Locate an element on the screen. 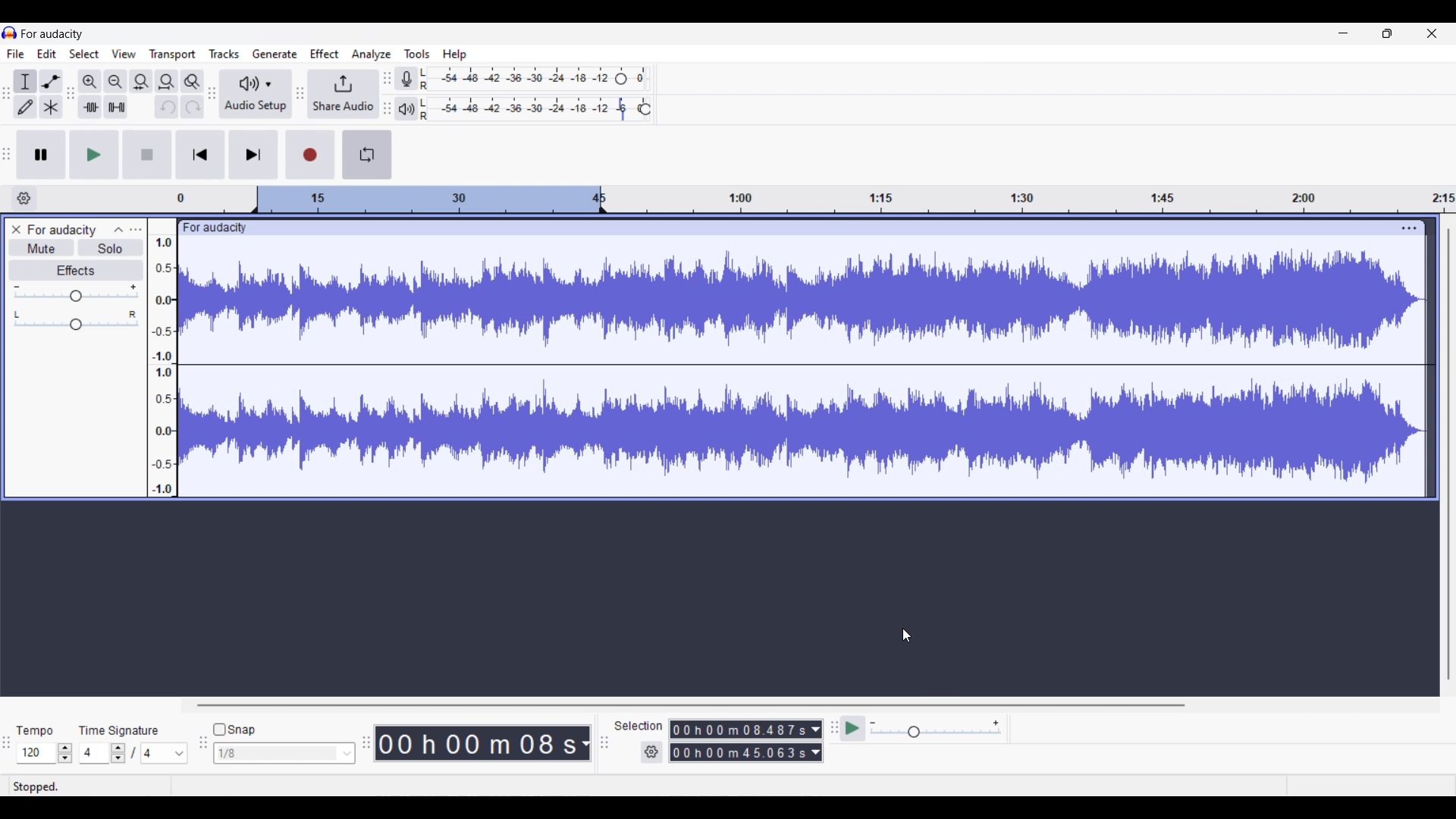 This screenshot has width=1456, height=819. Current timestamp of track is located at coordinates (473, 743).